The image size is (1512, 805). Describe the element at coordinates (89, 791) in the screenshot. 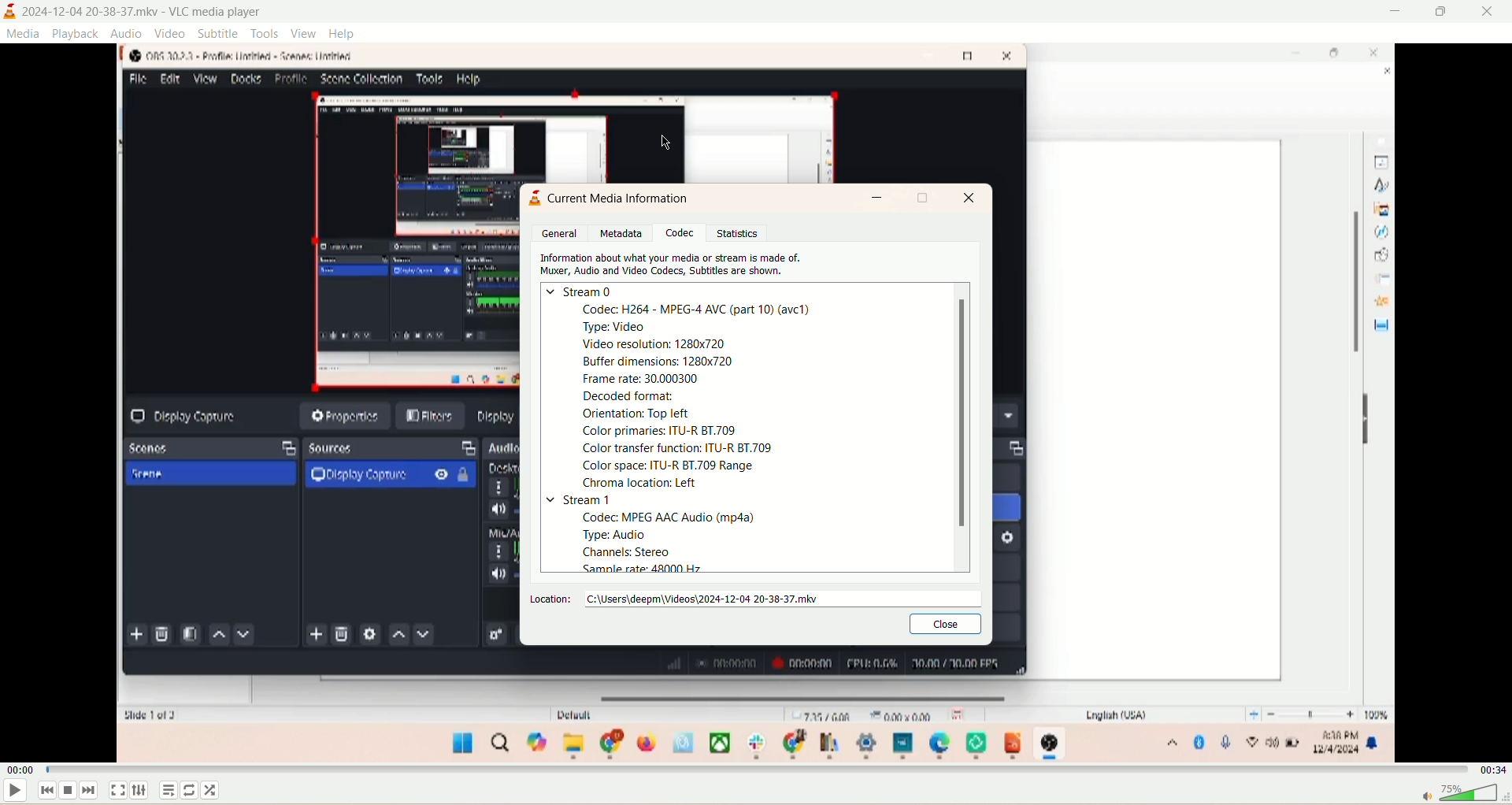

I see `next` at that location.